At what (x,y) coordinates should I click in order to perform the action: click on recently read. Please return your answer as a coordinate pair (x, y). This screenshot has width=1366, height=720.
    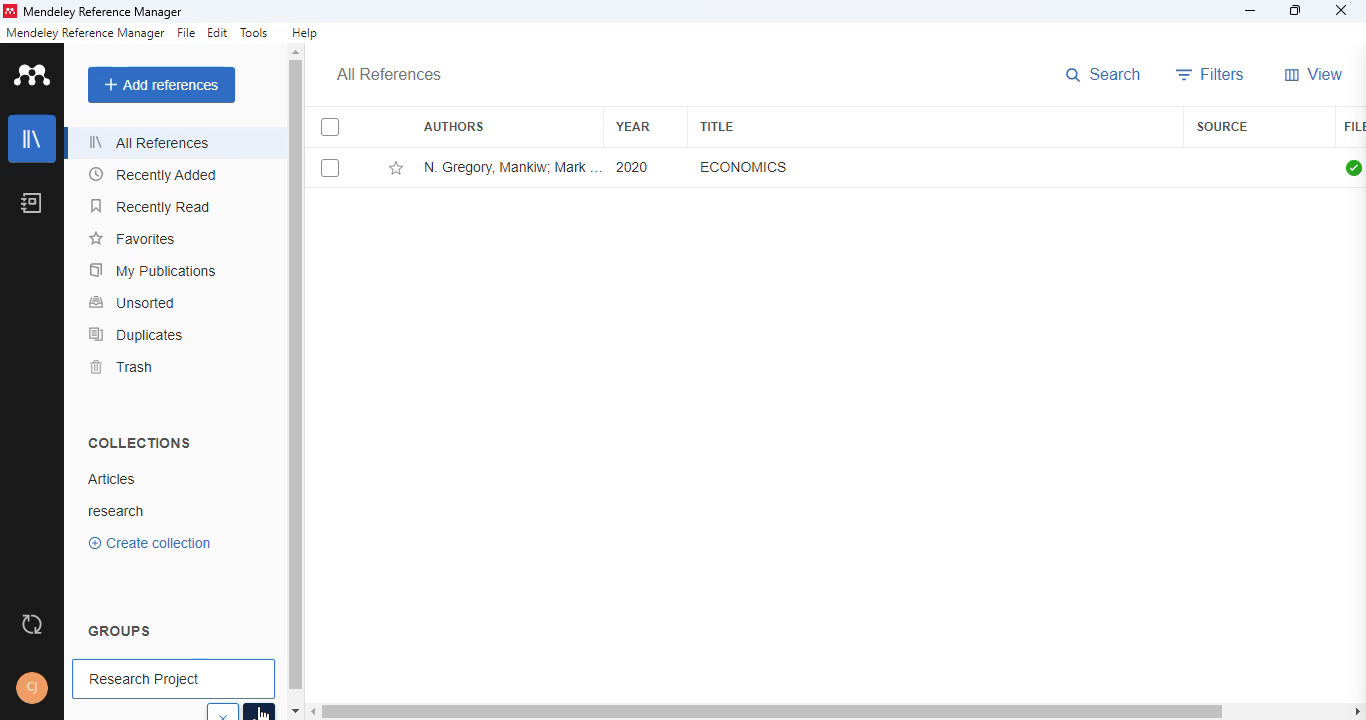
    Looking at the image, I should click on (151, 206).